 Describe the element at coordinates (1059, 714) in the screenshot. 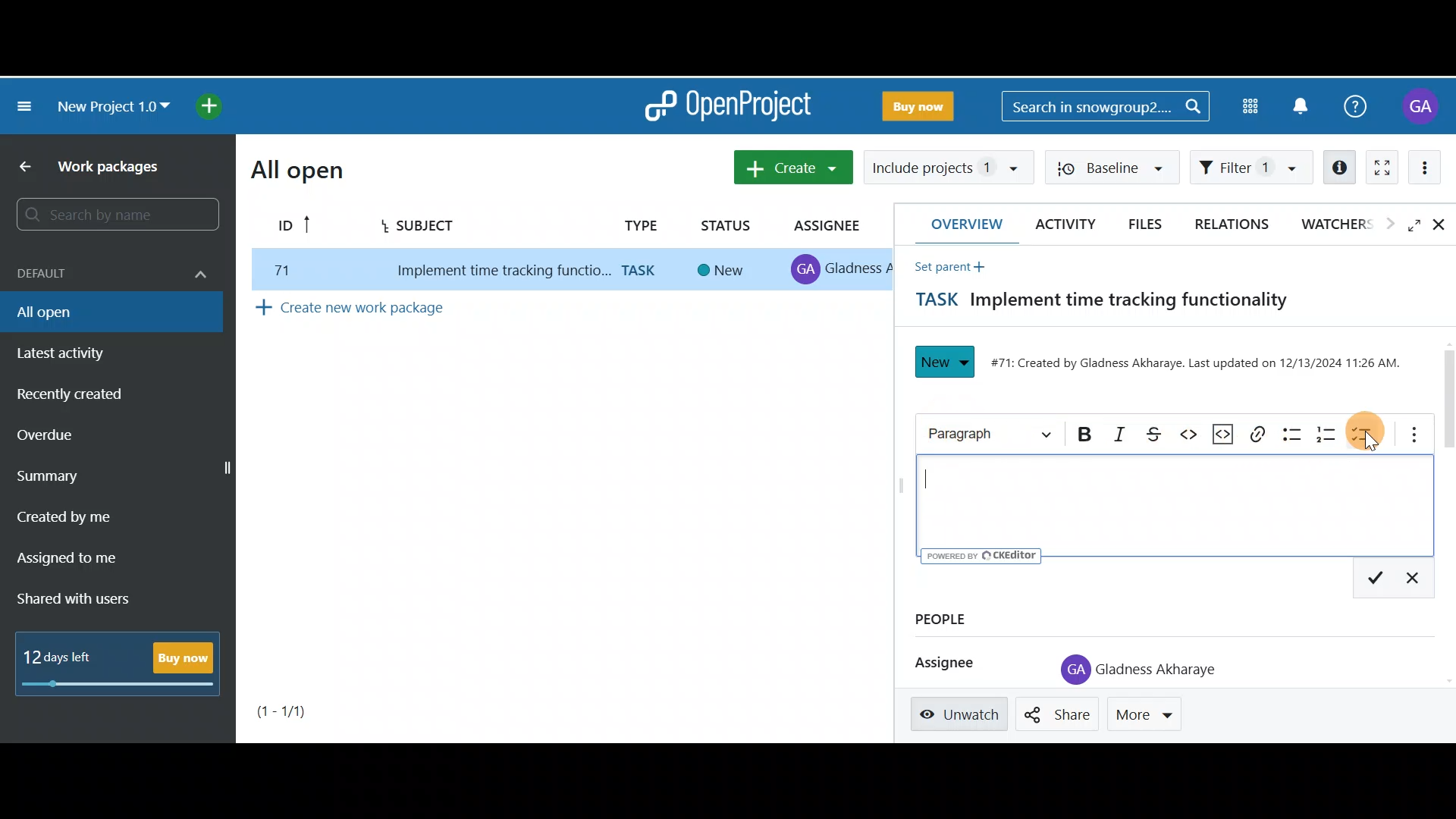

I see `Share` at that location.